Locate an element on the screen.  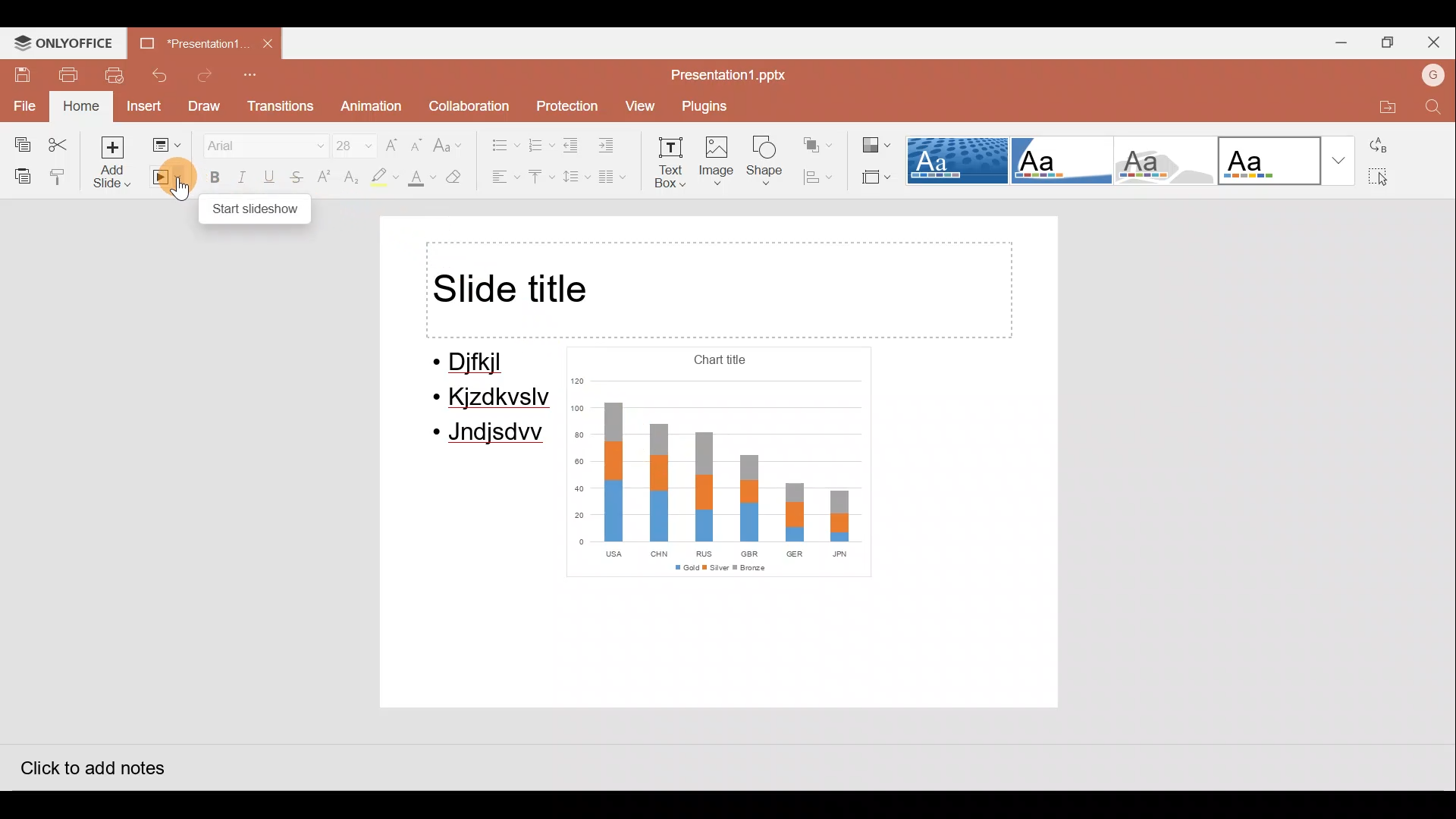
View is located at coordinates (638, 104).